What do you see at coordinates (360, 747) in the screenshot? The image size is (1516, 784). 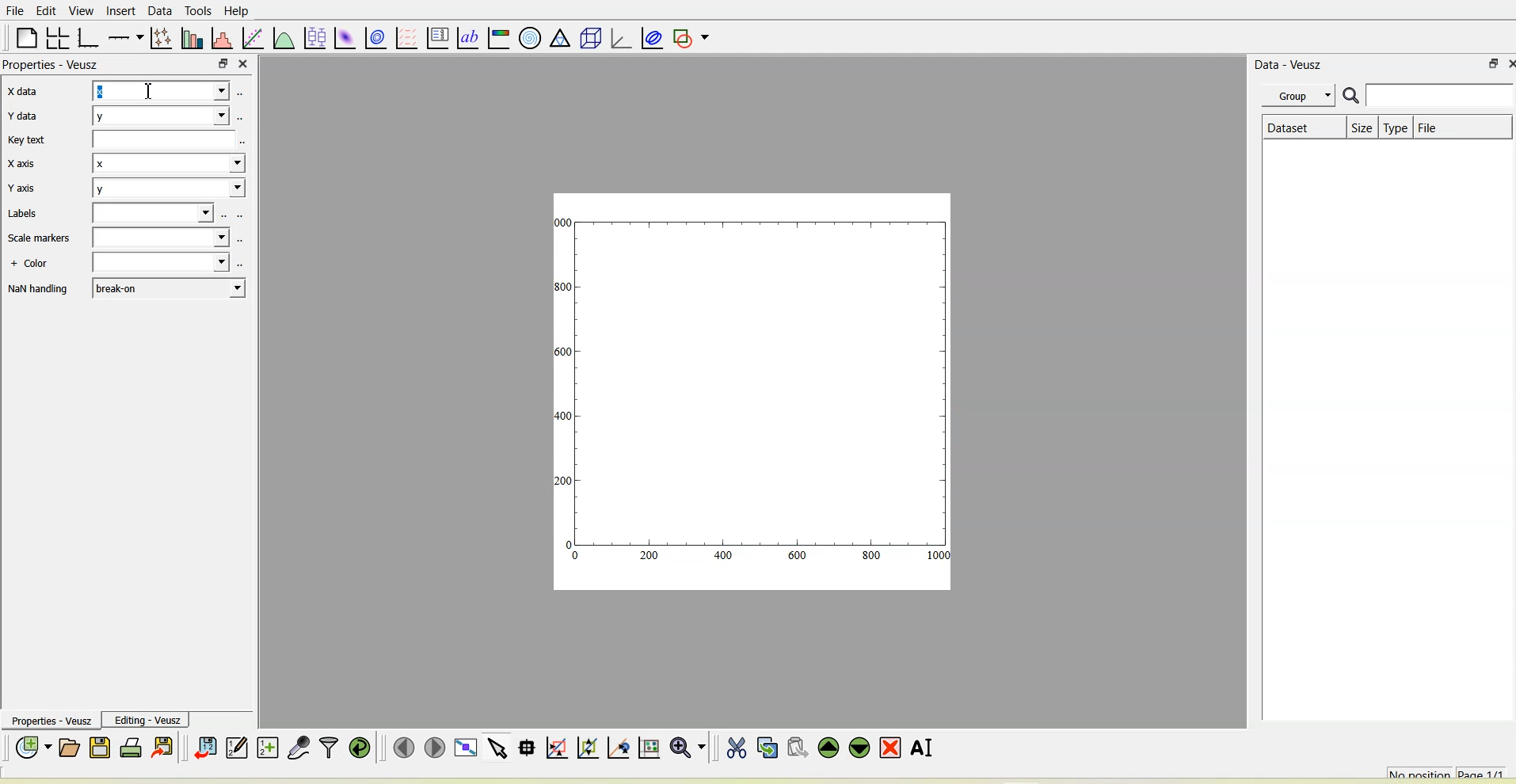 I see `Reload linked datasets` at bounding box center [360, 747].